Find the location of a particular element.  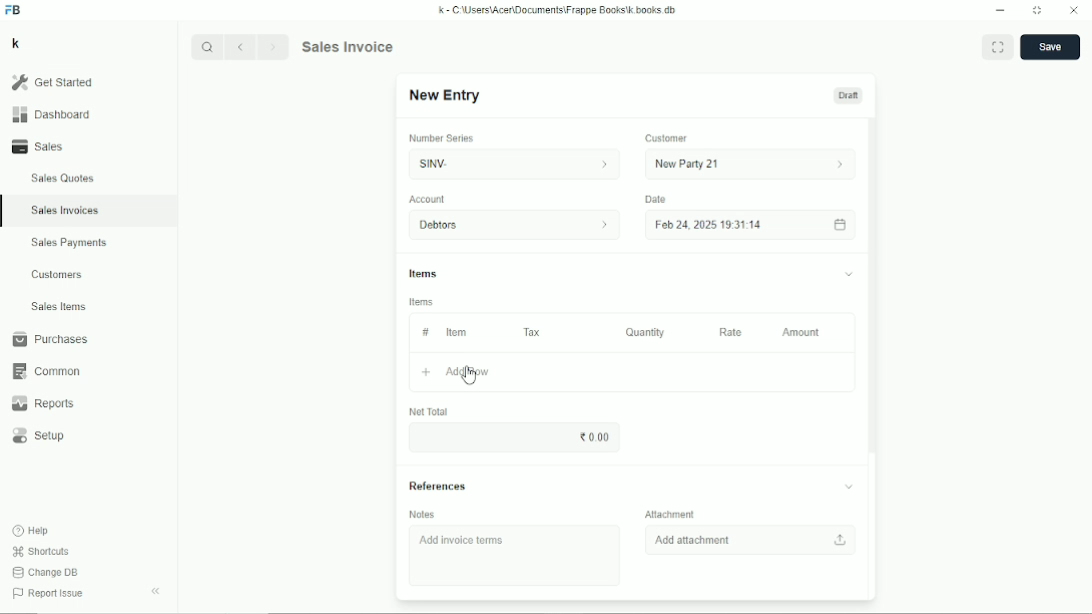

Change DB is located at coordinates (45, 573).